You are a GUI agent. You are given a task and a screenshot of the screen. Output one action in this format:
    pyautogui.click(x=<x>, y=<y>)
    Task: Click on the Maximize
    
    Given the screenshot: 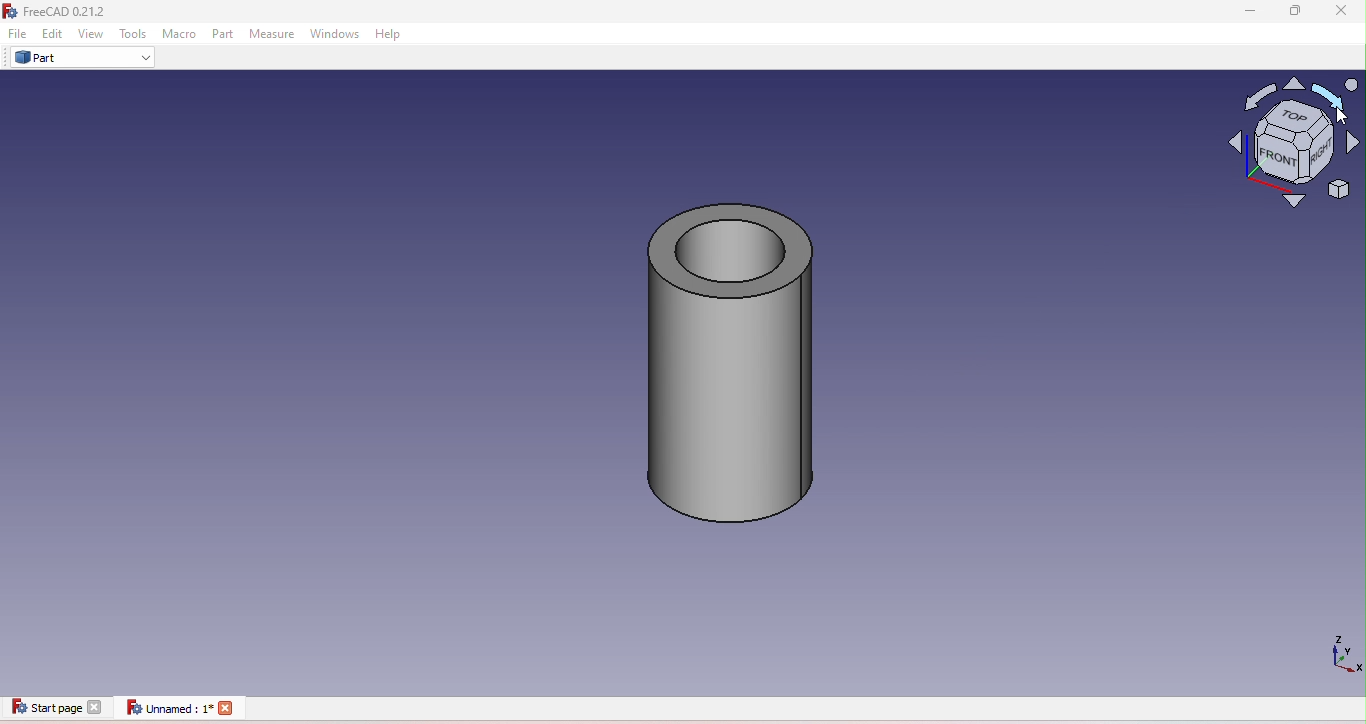 What is the action you would take?
    pyautogui.click(x=1296, y=10)
    